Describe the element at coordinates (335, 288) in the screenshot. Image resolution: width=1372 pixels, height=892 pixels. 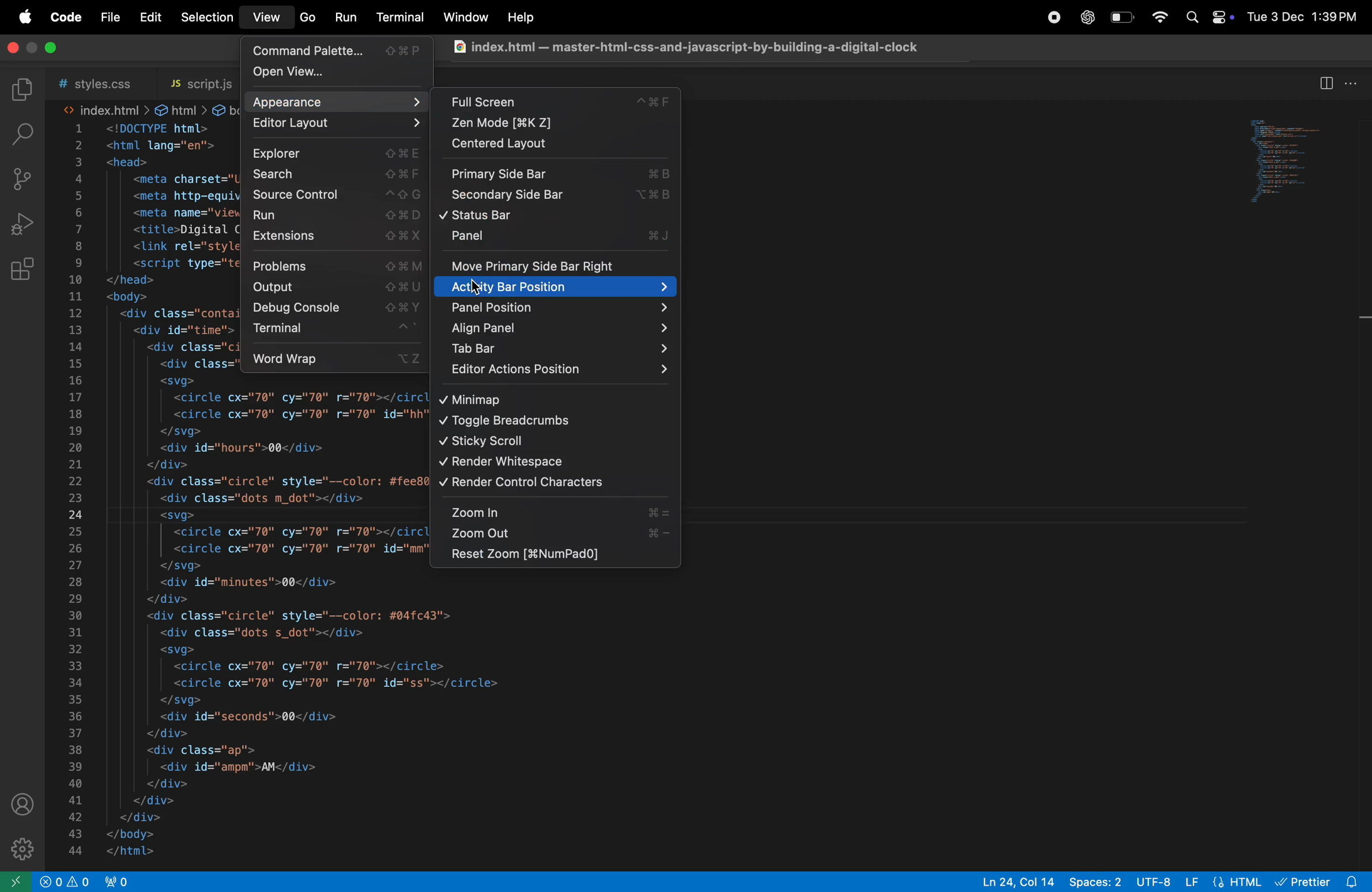
I see `output` at that location.